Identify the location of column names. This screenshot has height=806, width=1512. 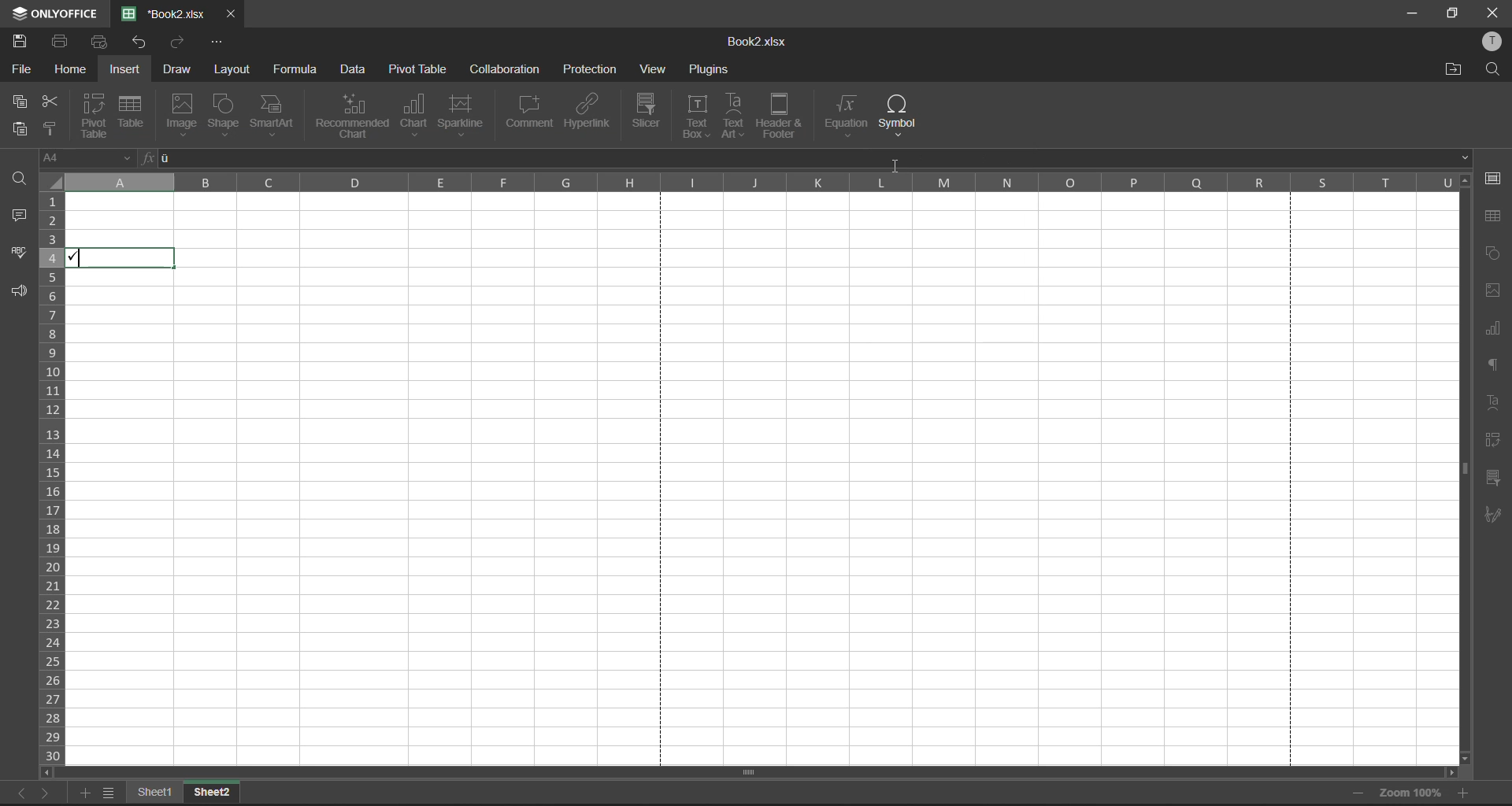
(760, 183).